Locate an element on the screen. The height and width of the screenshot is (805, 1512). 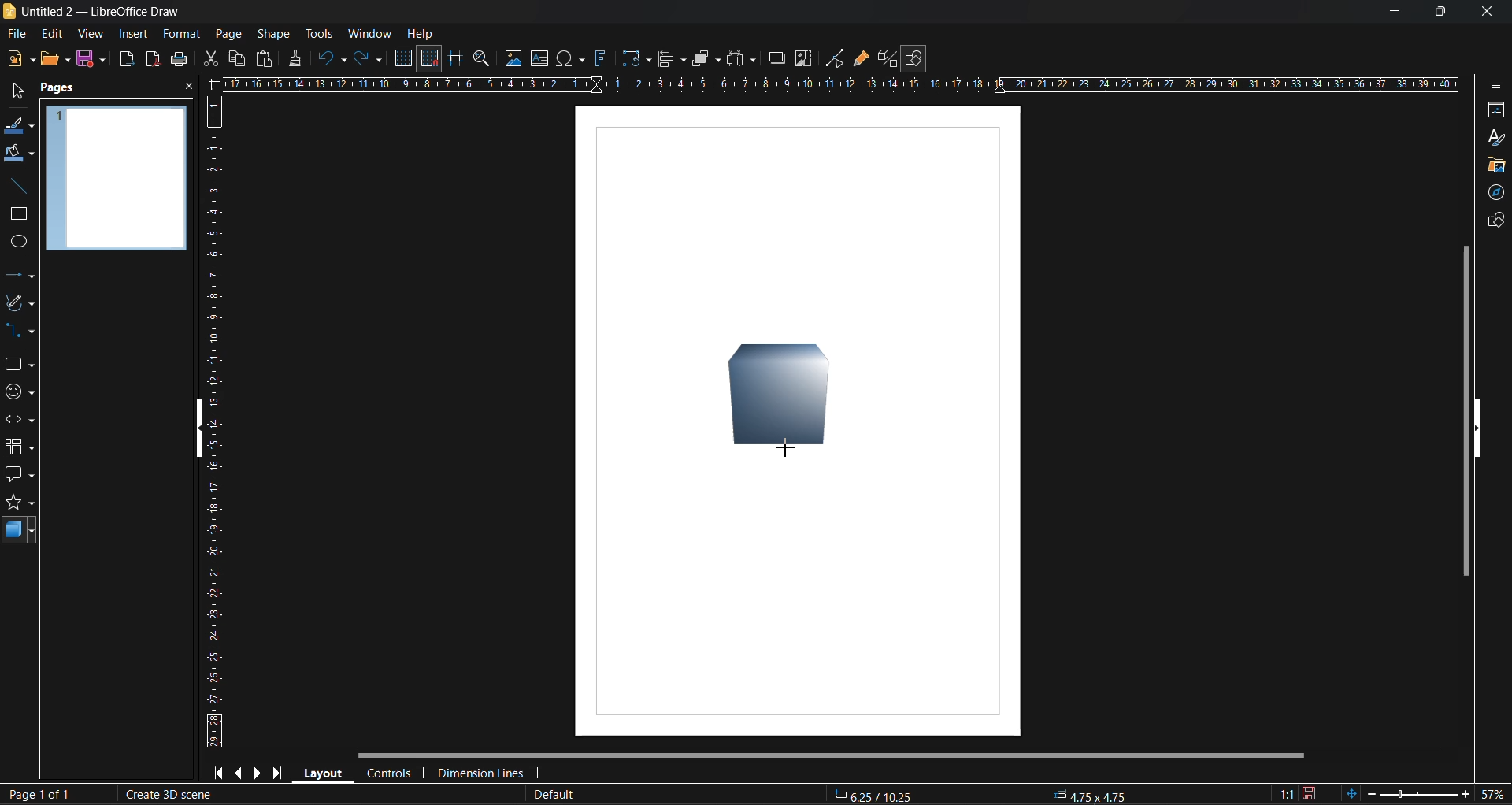
zoom is located at coordinates (485, 61).